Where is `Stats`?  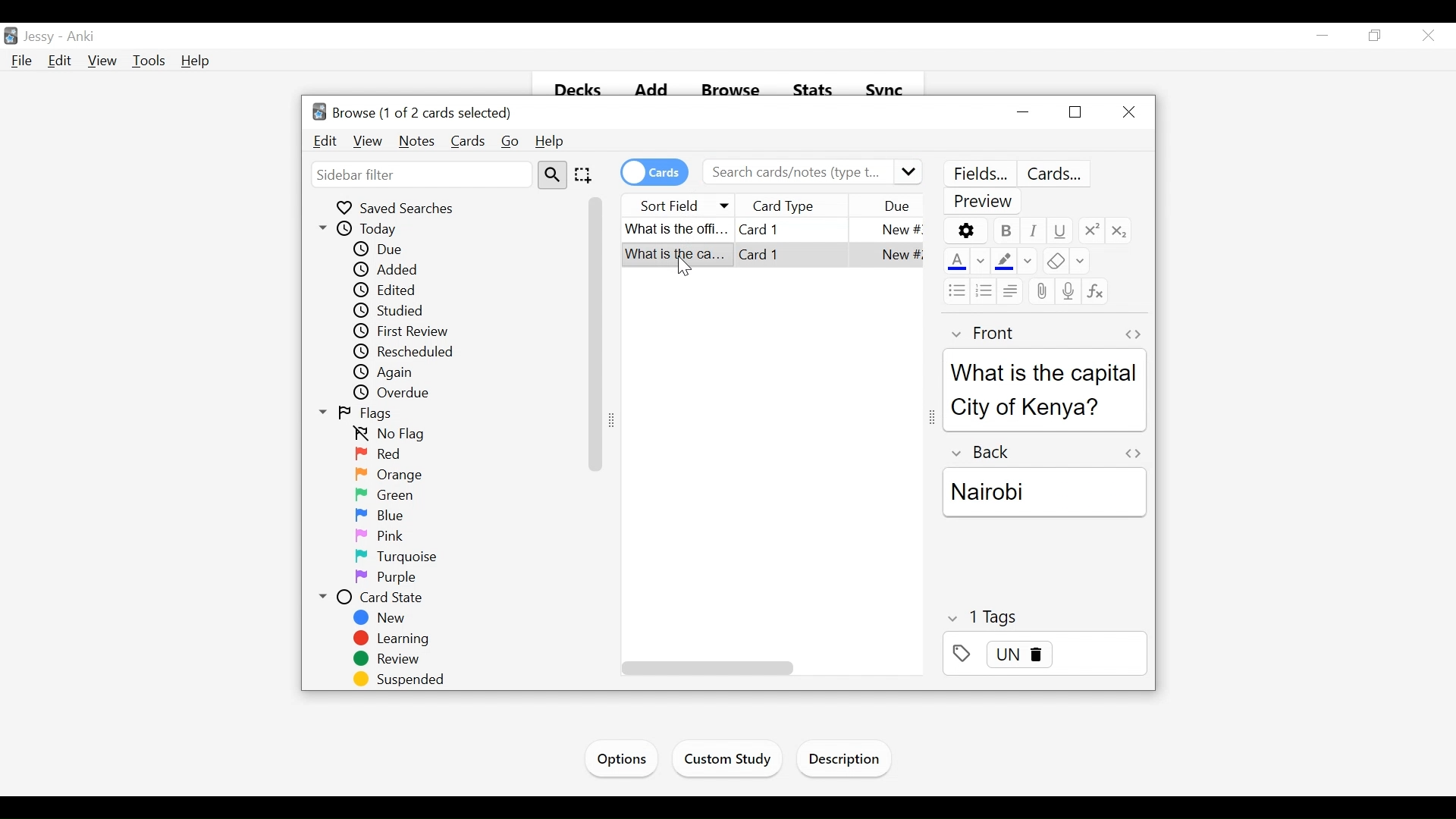 Stats is located at coordinates (811, 93).